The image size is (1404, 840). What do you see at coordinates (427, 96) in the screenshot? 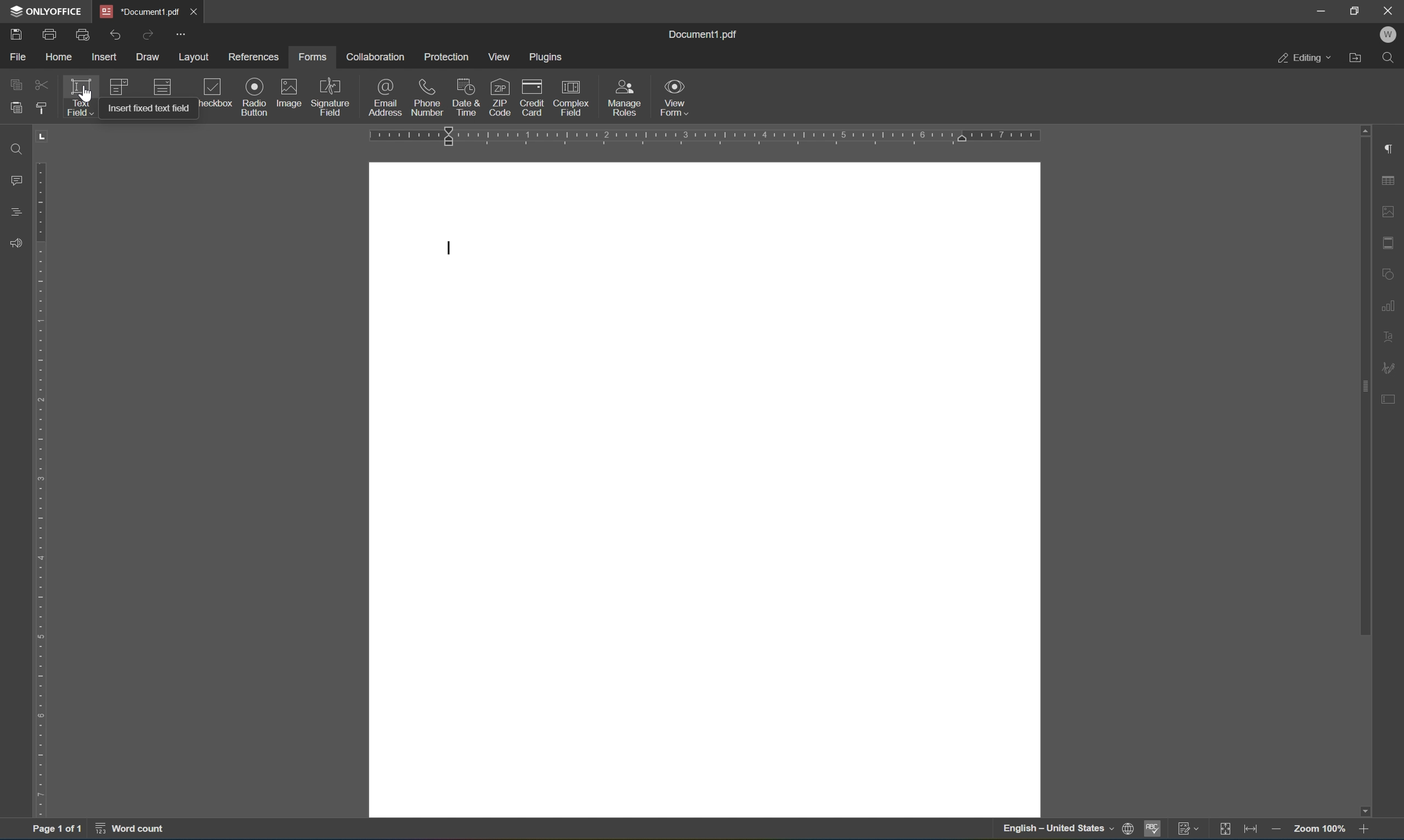
I see `phone number` at bounding box center [427, 96].